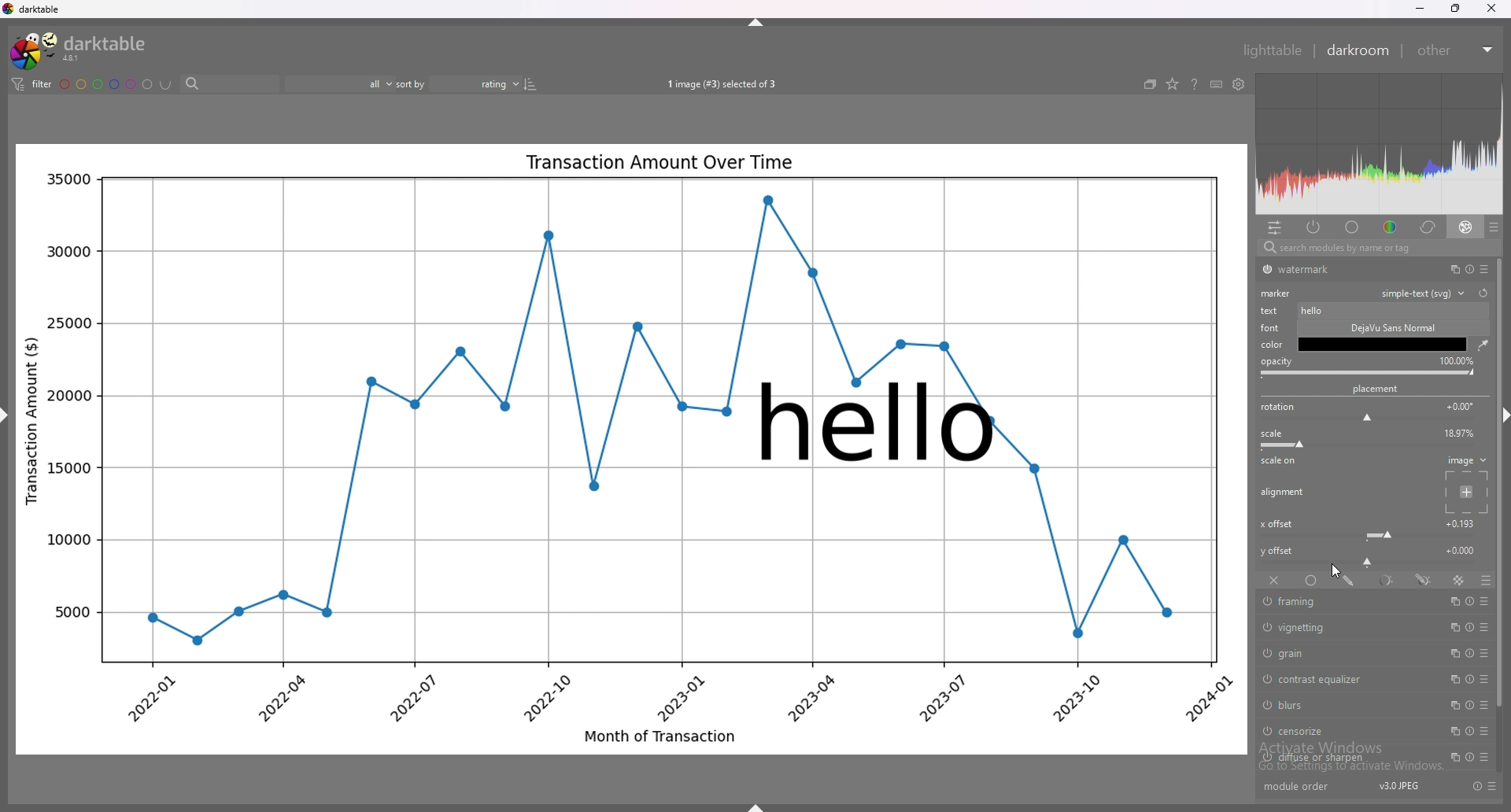 This screenshot has height=812, width=1511. What do you see at coordinates (1371, 536) in the screenshot?
I see `x offset bar` at bounding box center [1371, 536].